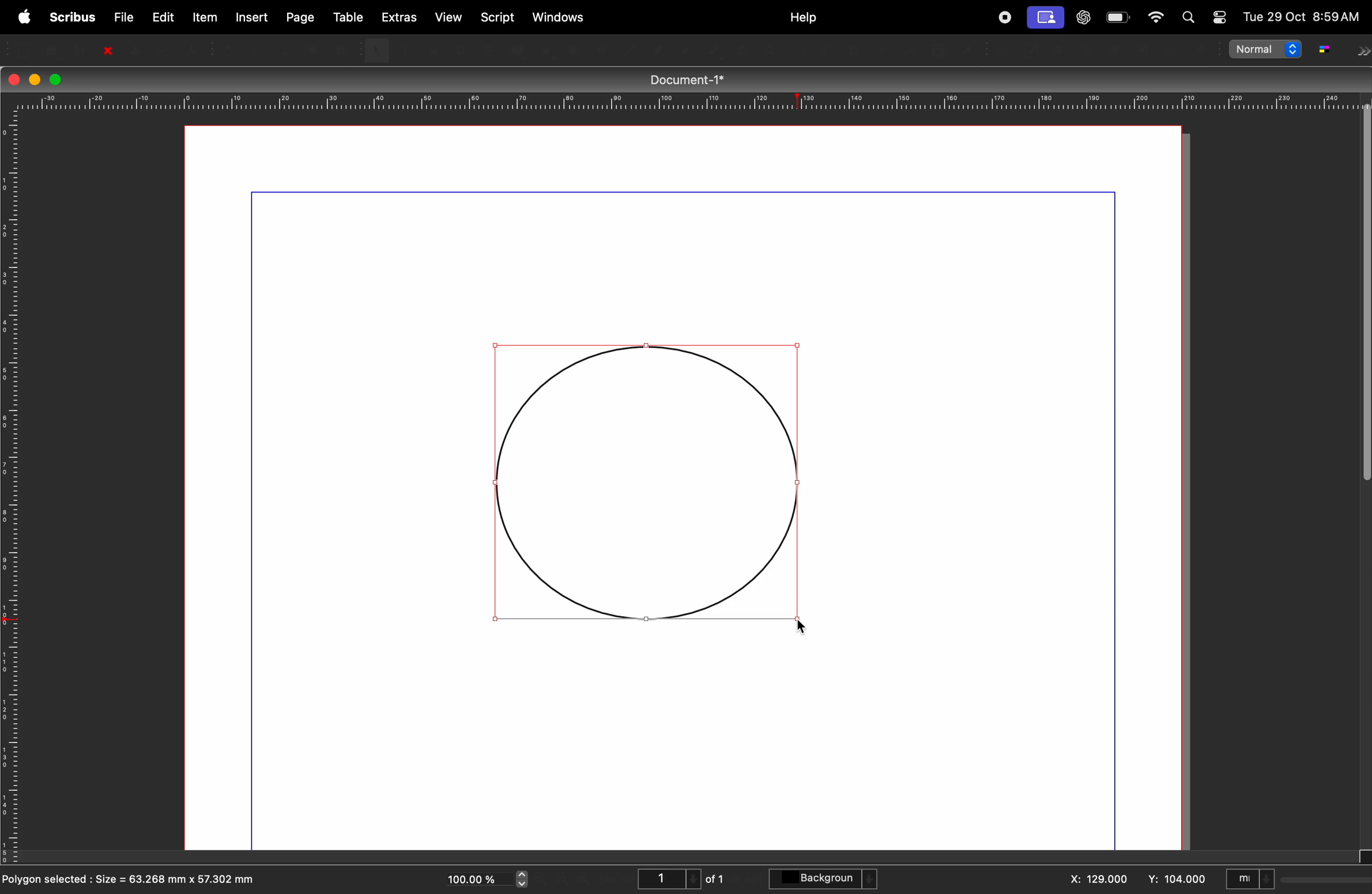  What do you see at coordinates (1301, 18) in the screenshot?
I see `Tue 29 Oct 8:59AM` at bounding box center [1301, 18].